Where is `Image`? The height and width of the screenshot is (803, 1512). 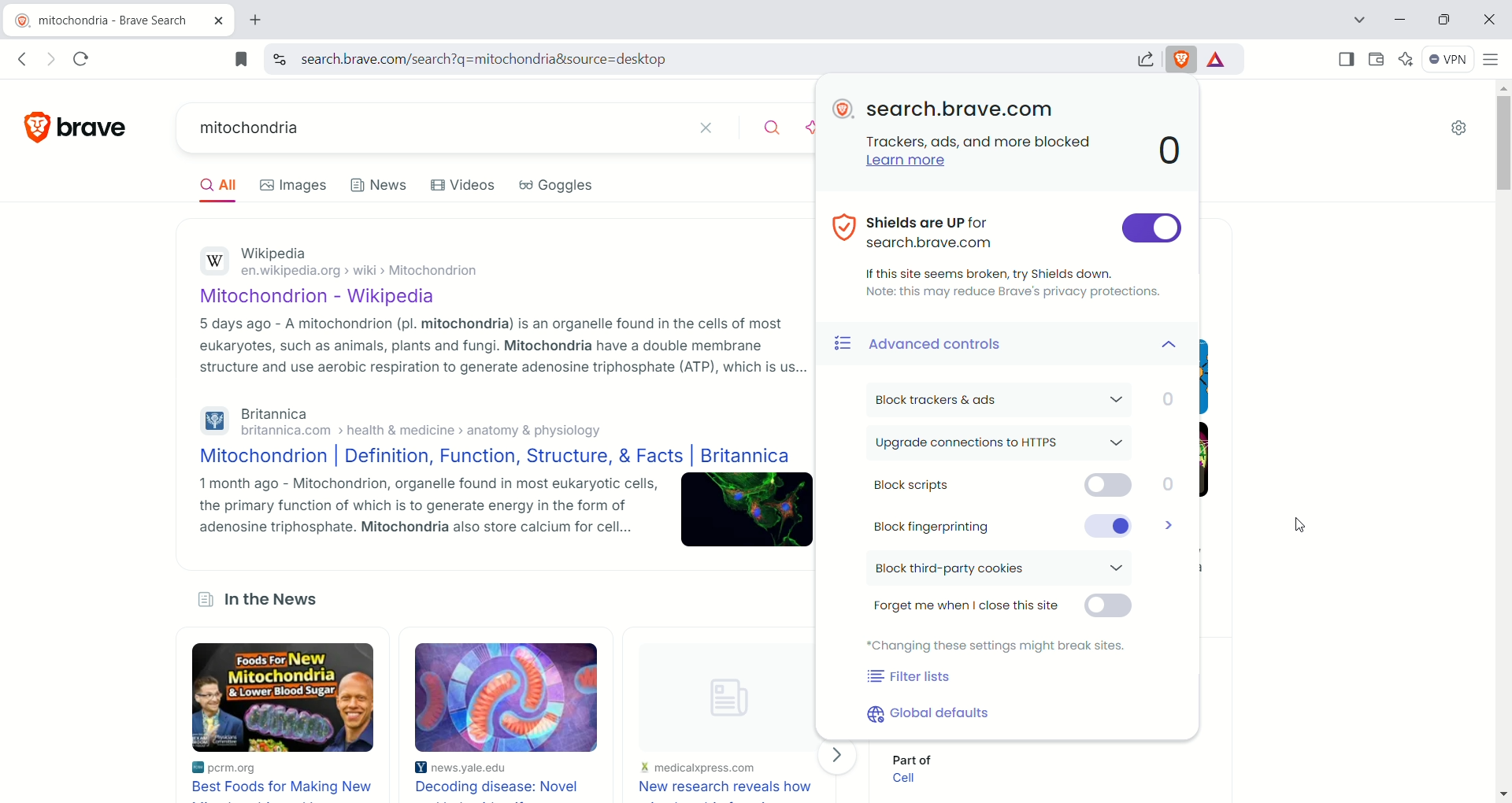 Image is located at coordinates (720, 690).